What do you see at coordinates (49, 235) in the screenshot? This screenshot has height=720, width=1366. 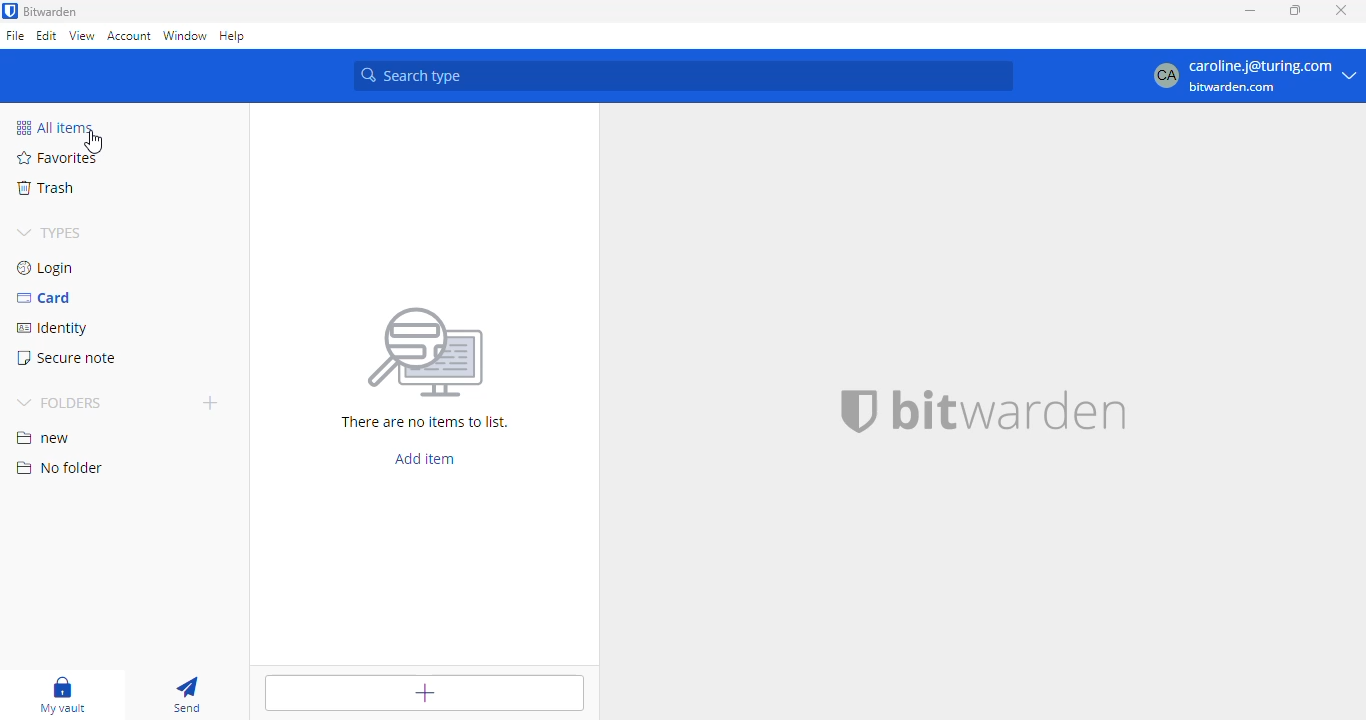 I see `types` at bounding box center [49, 235].